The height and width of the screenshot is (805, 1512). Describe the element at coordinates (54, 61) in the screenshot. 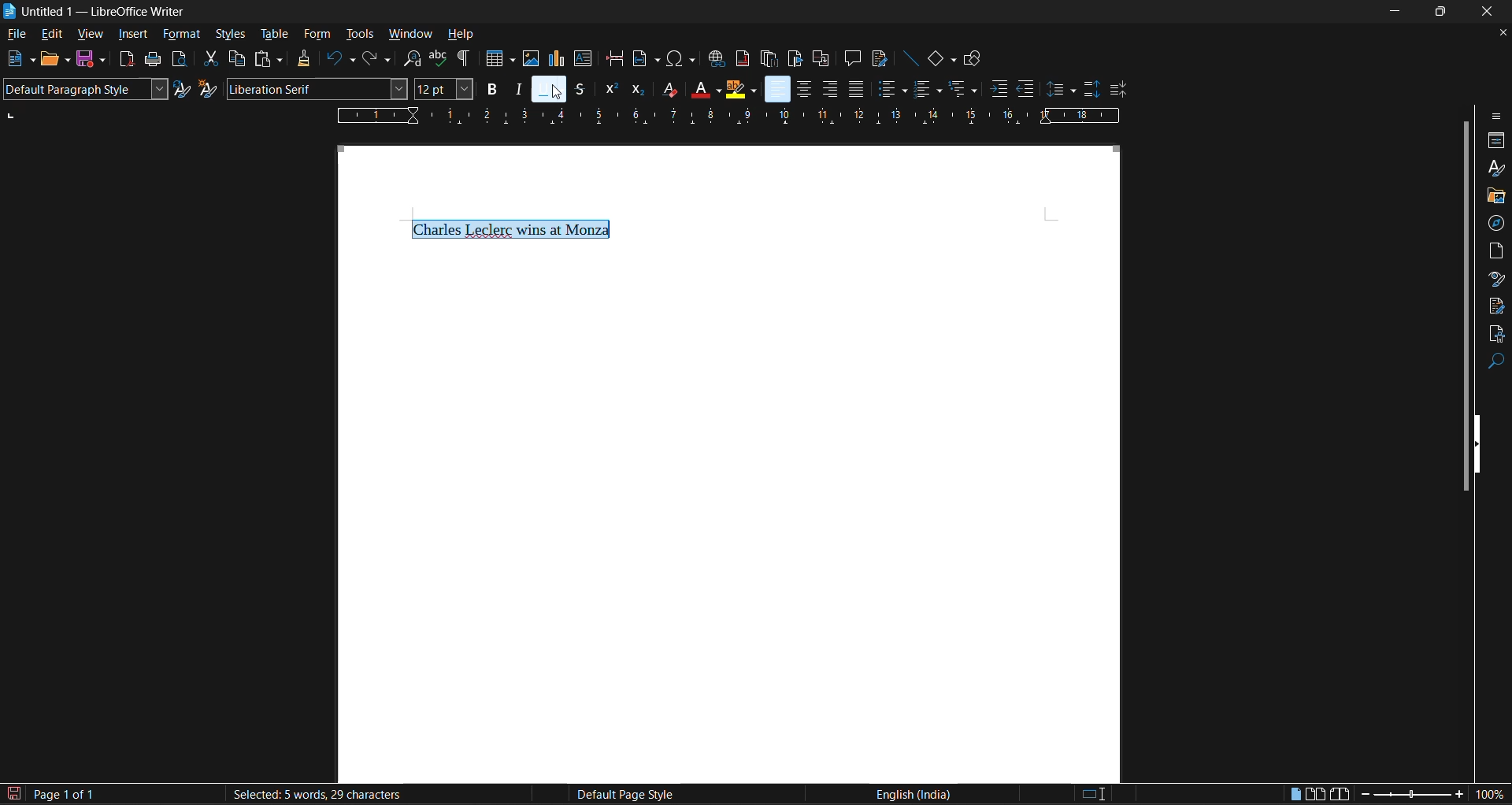

I see `open` at that location.